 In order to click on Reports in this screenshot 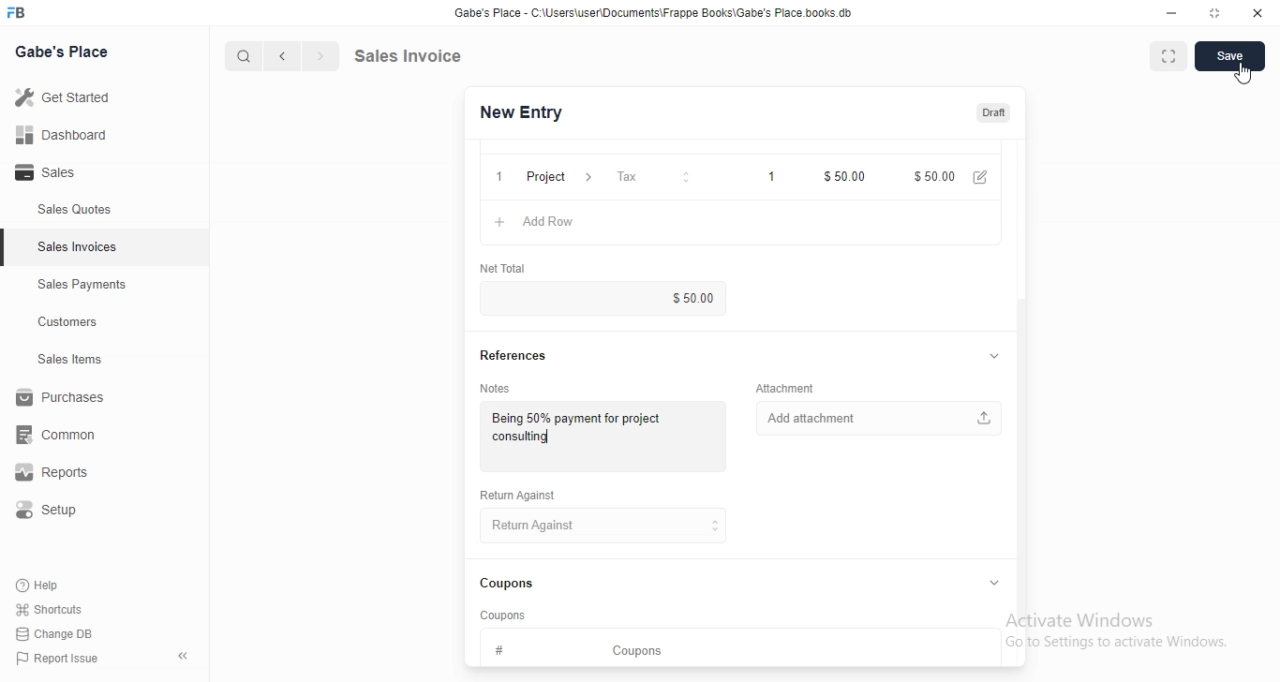, I will do `click(65, 475)`.